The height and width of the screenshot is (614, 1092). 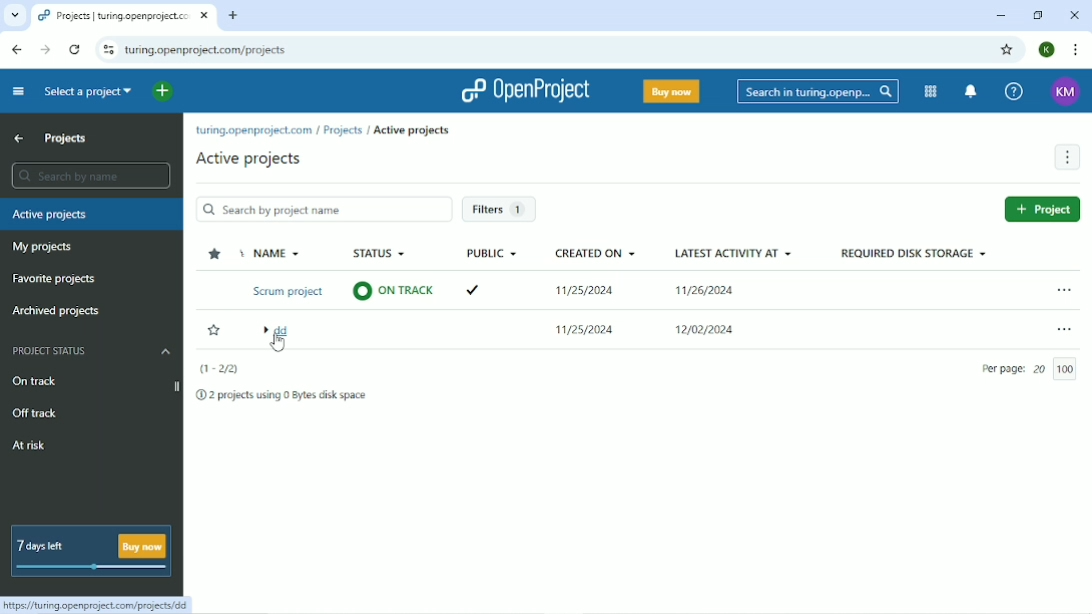 I want to click on (1-2/2), so click(x=220, y=366).